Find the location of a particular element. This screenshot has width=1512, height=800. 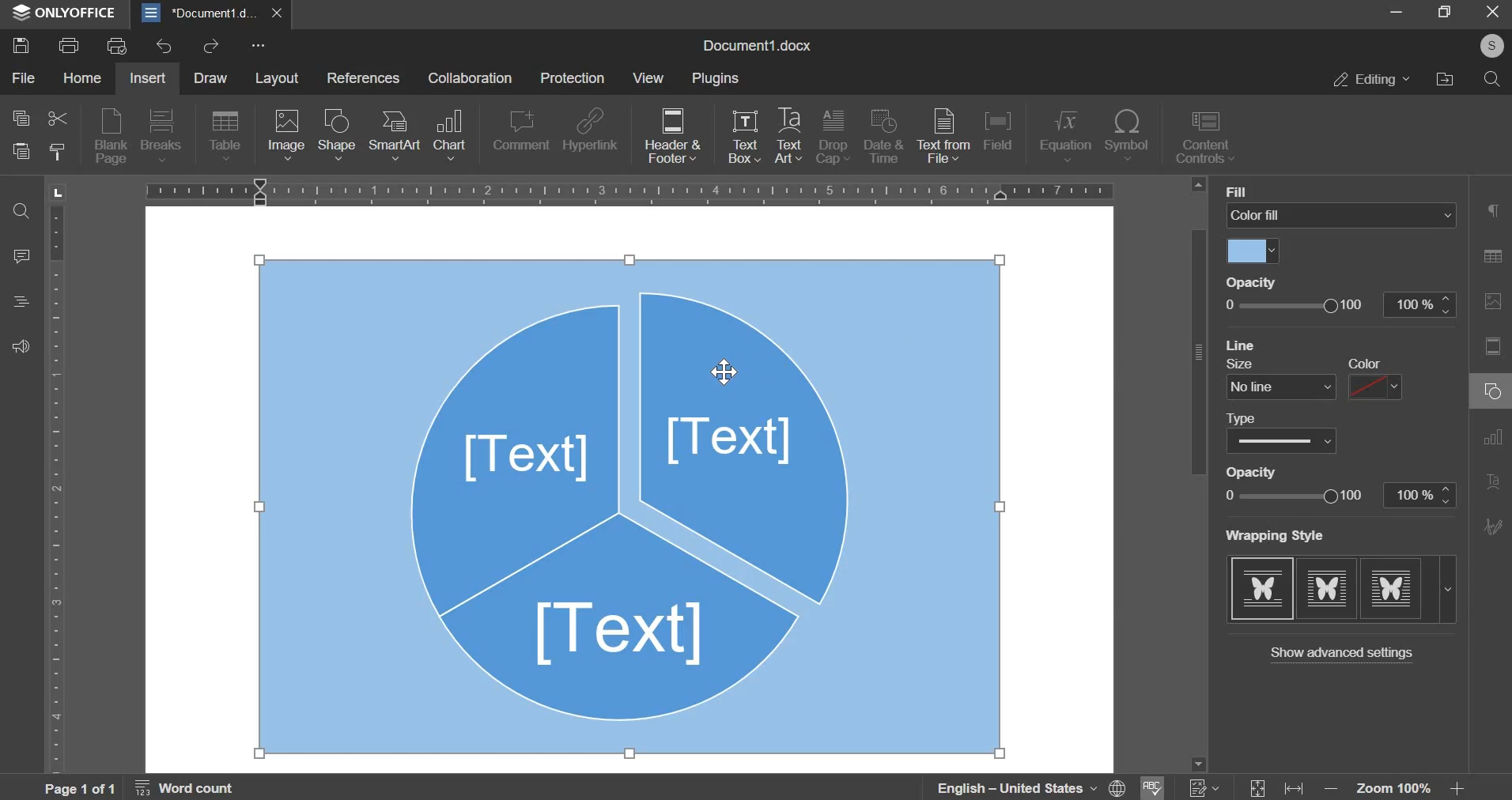

breaks is located at coordinates (161, 135).